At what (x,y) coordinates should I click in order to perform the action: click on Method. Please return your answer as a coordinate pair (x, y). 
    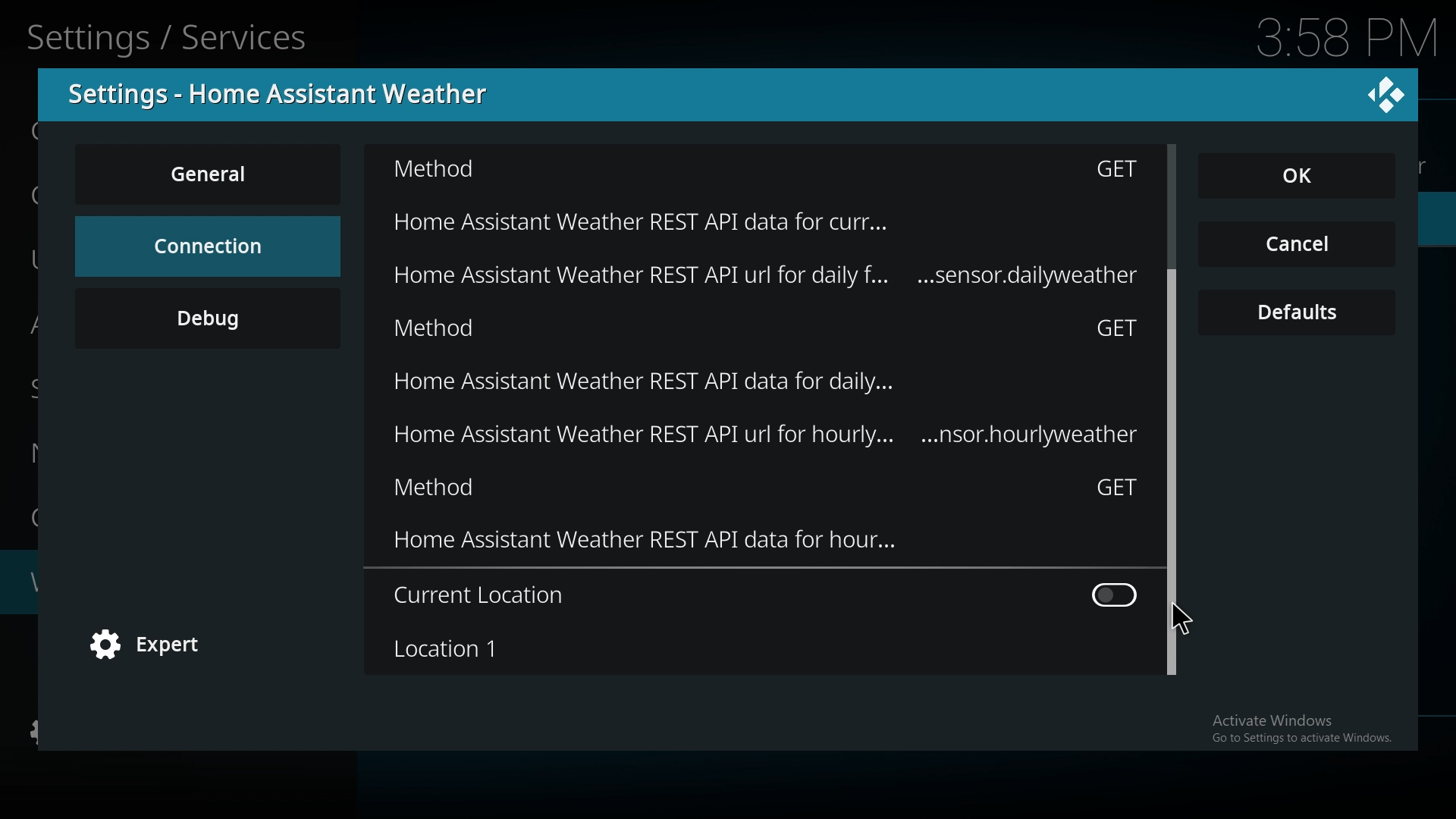
    Looking at the image, I should click on (766, 172).